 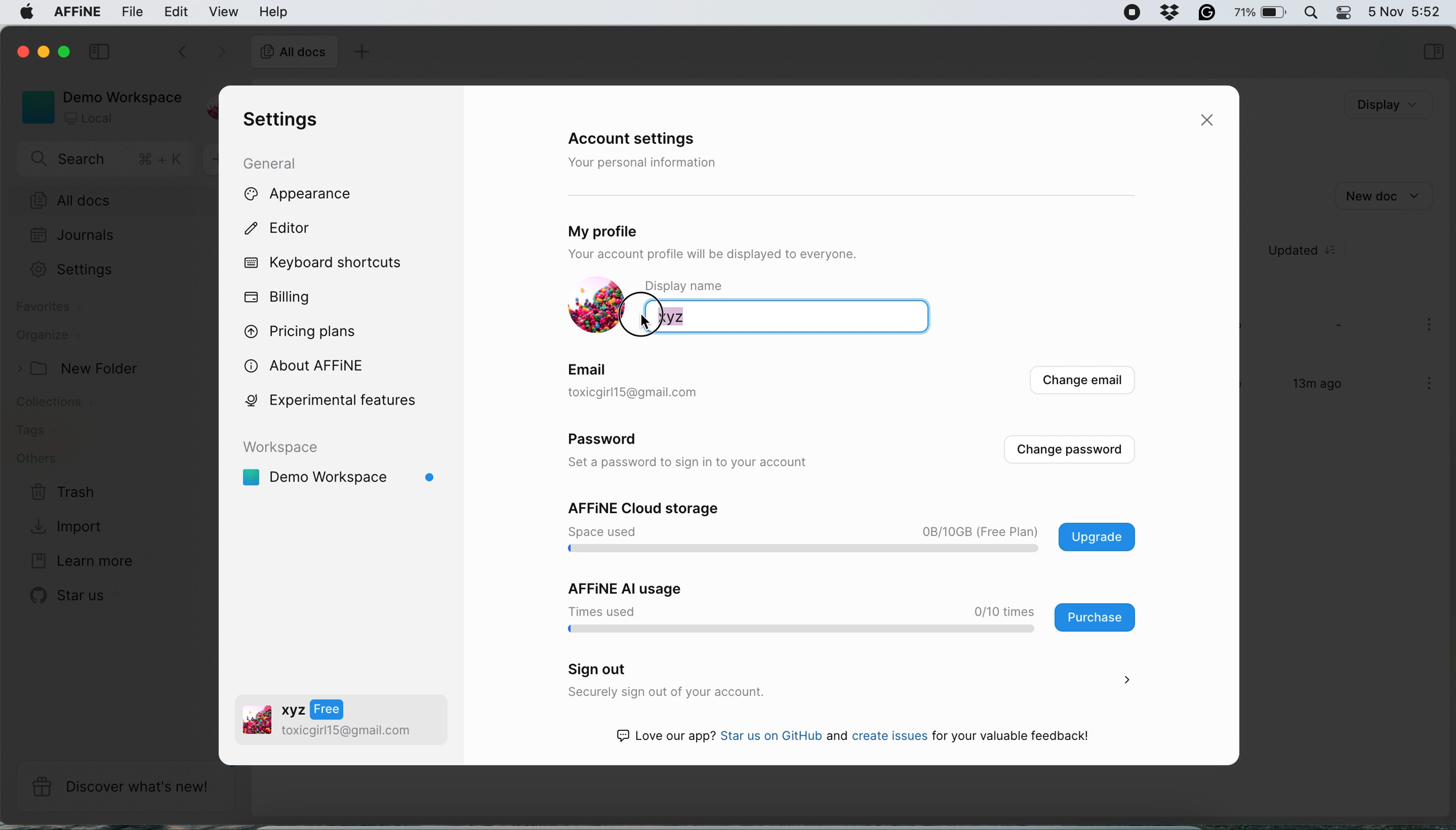 What do you see at coordinates (46, 54) in the screenshot?
I see `minimise` at bounding box center [46, 54].